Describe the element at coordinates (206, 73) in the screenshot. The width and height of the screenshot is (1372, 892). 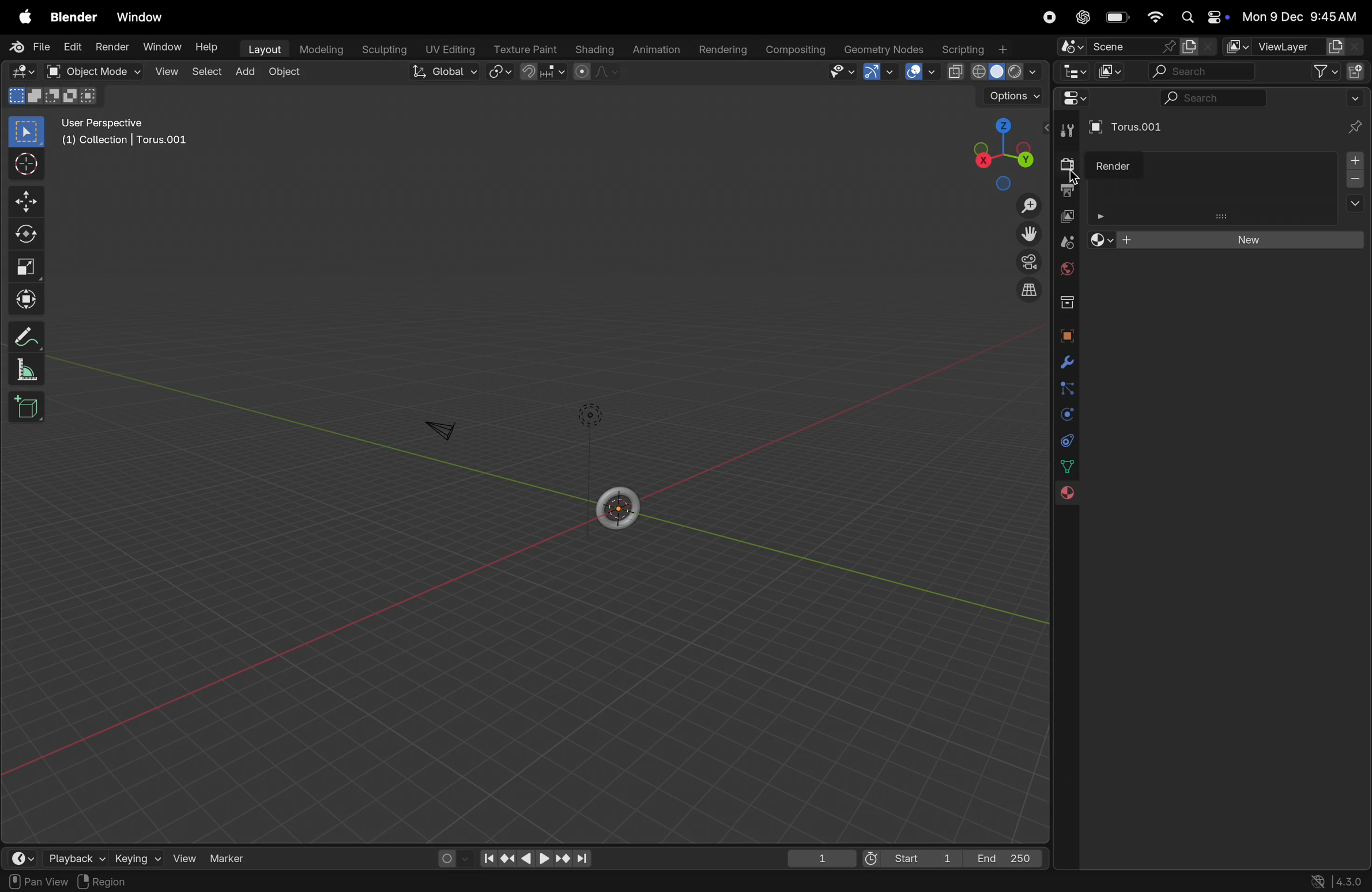
I see `select` at that location.